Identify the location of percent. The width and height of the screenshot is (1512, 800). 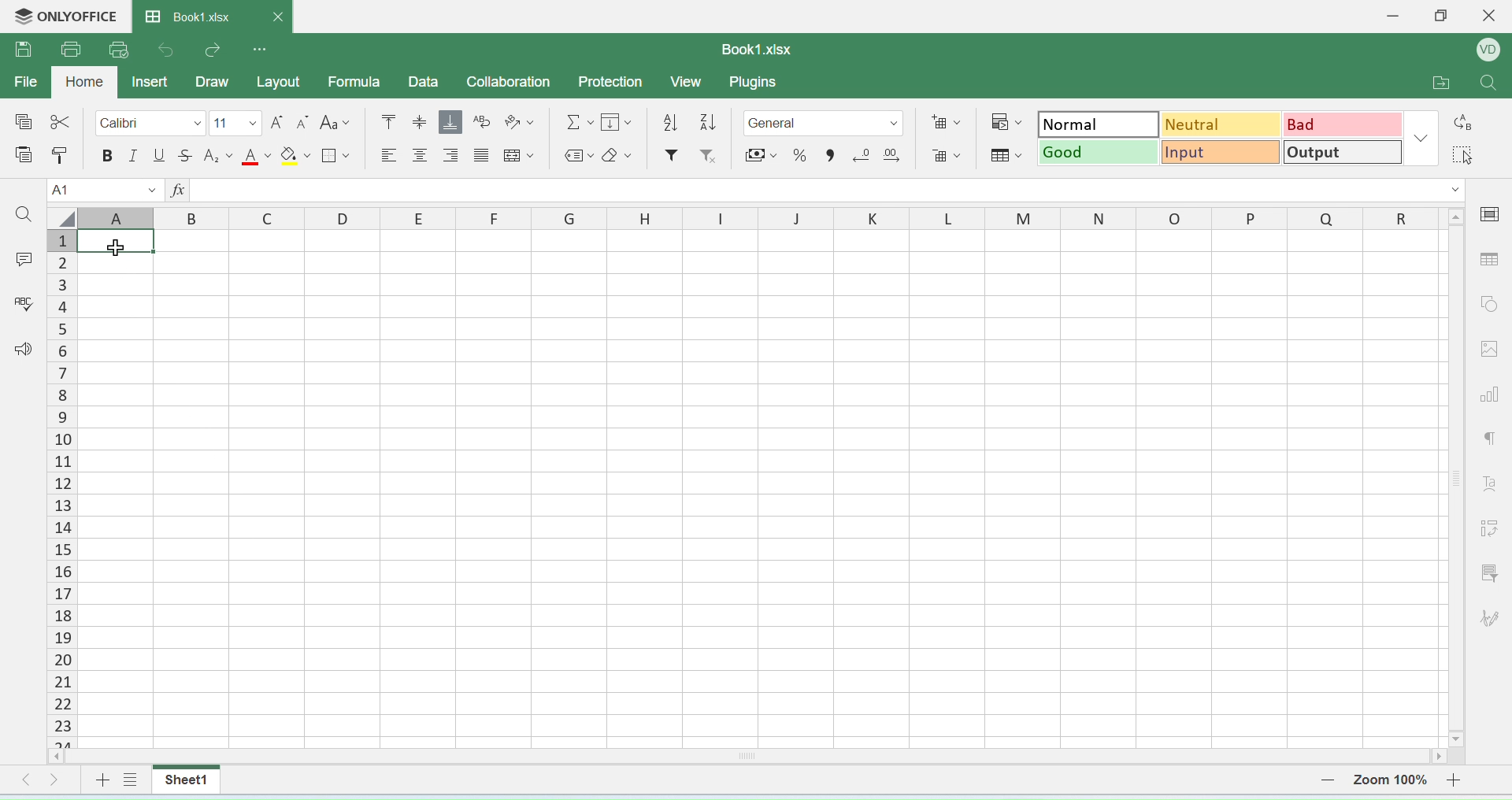
(803, 154).